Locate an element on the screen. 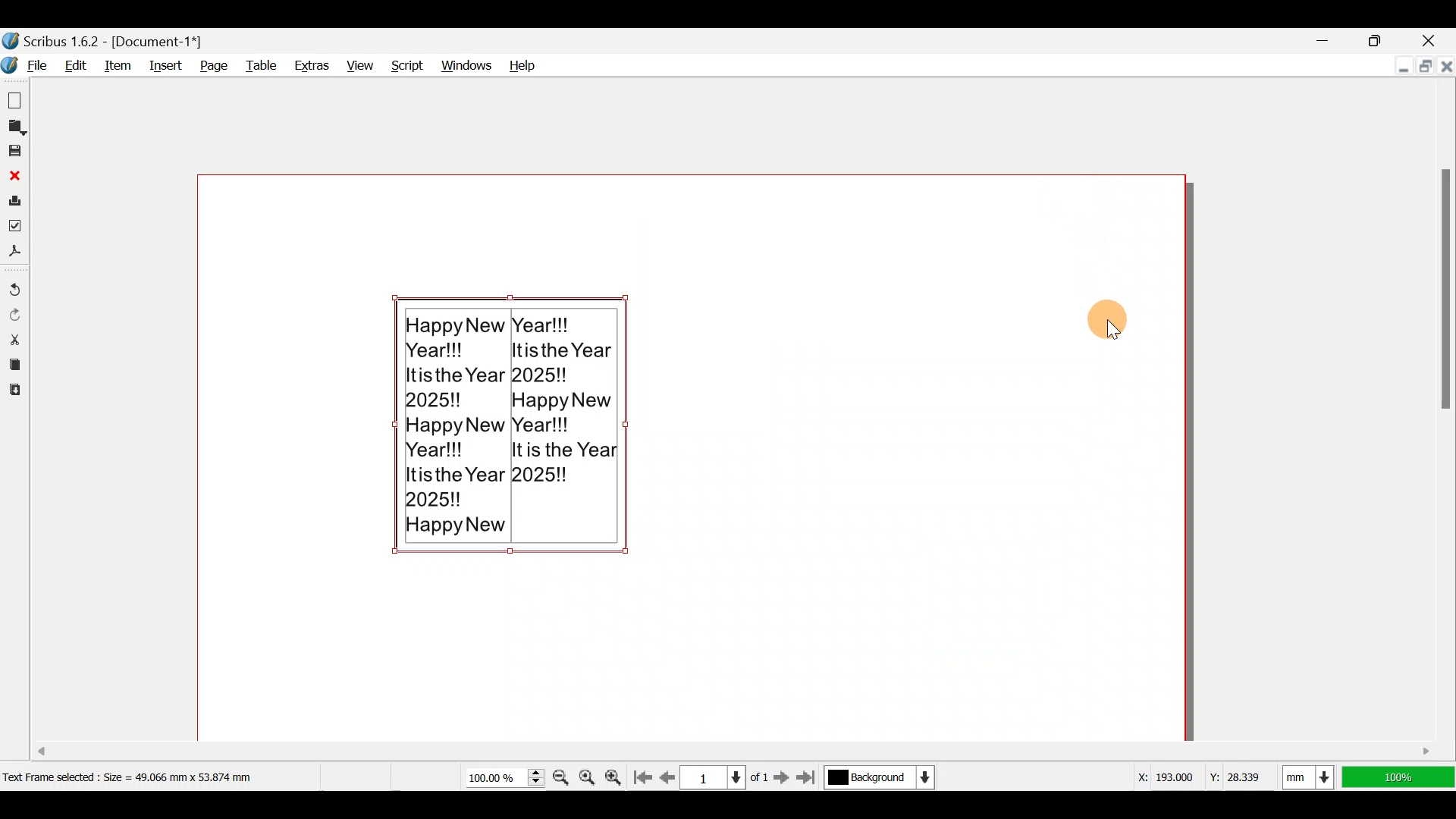  Go to first page is located at coordinates (645, 774).